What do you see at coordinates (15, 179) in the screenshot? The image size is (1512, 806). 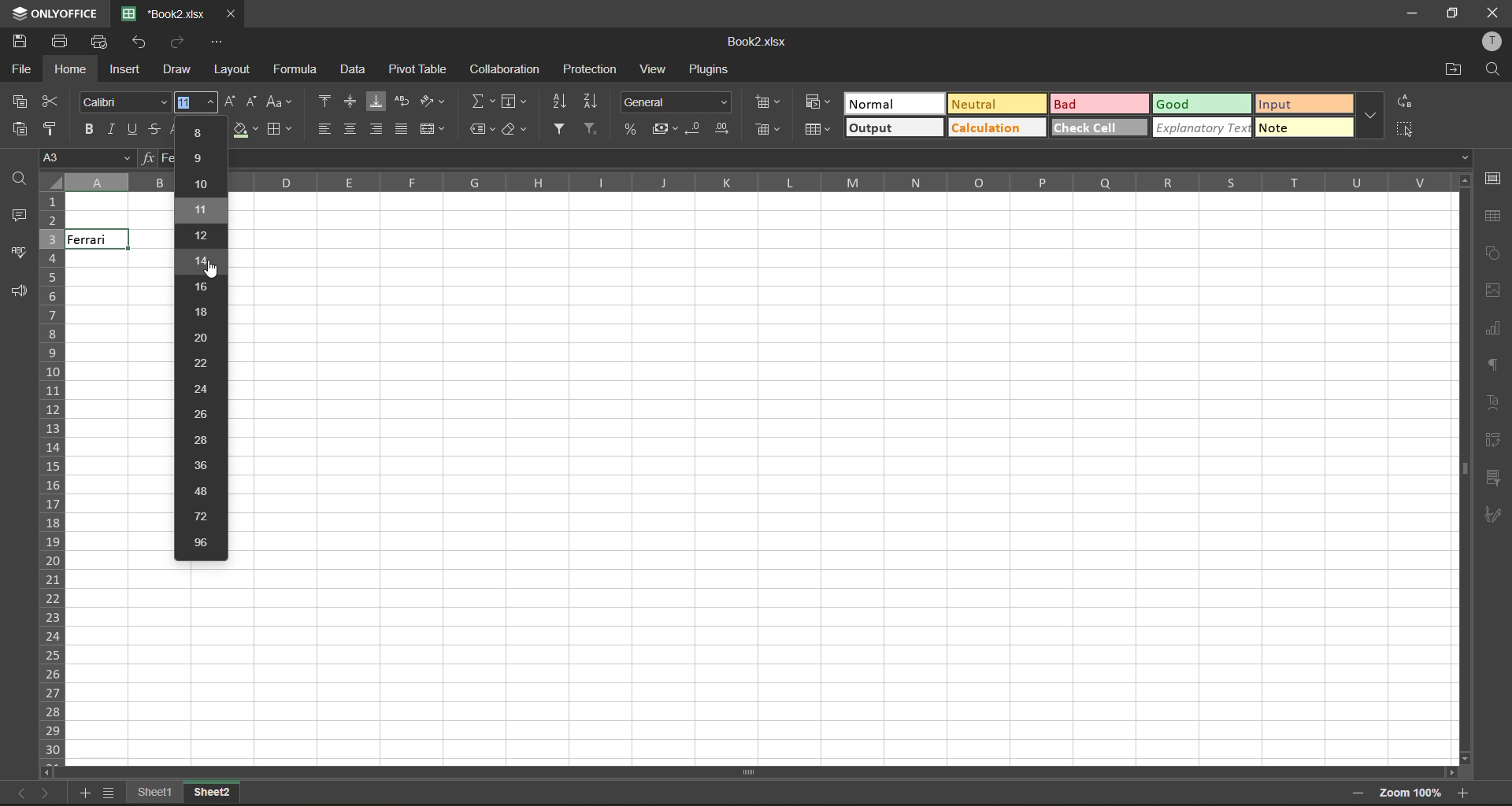 I see `find` at bounding box center [15, 179].